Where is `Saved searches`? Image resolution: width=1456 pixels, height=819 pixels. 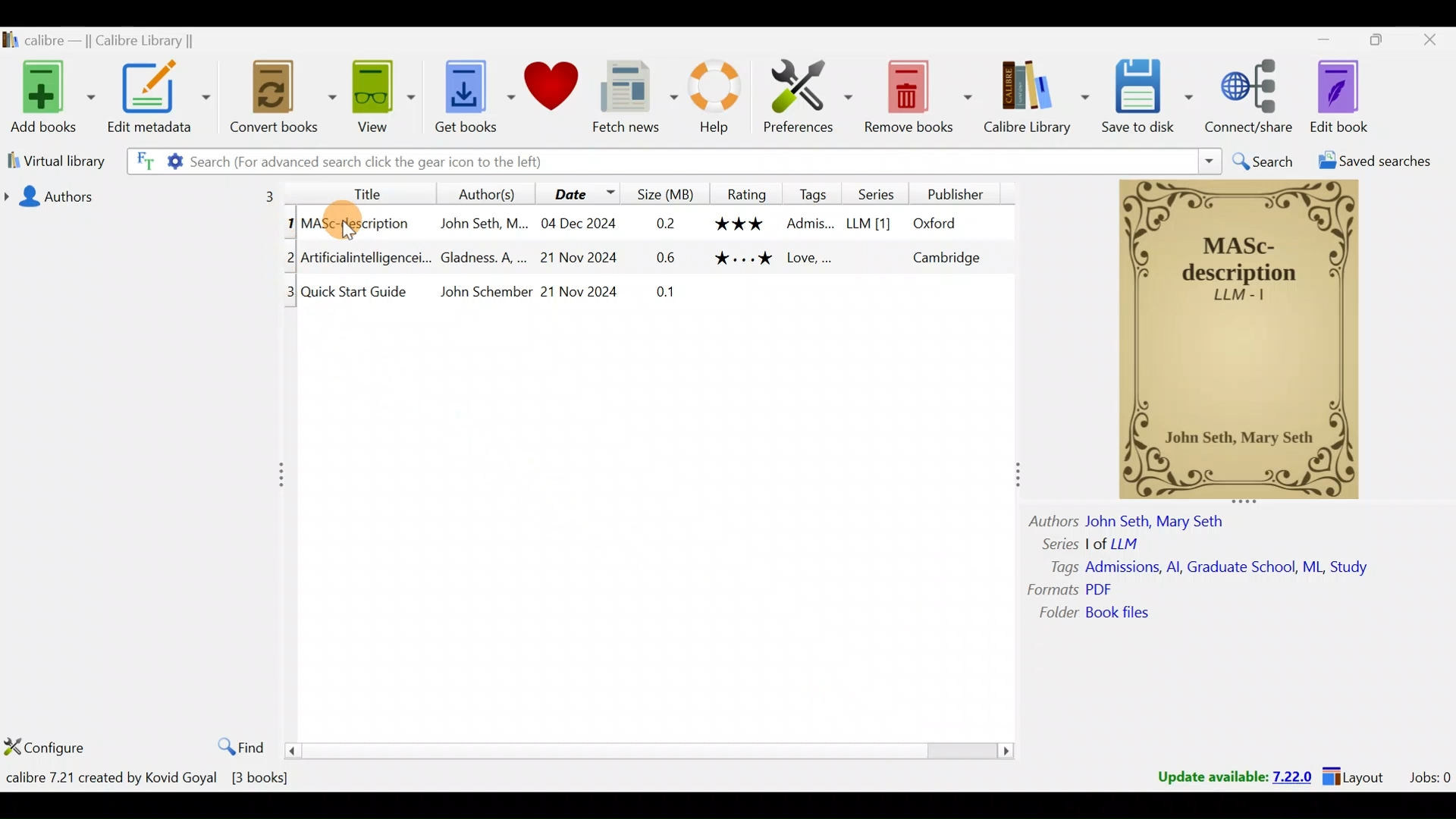 Saved searches is located at coordinates (1367, 158).